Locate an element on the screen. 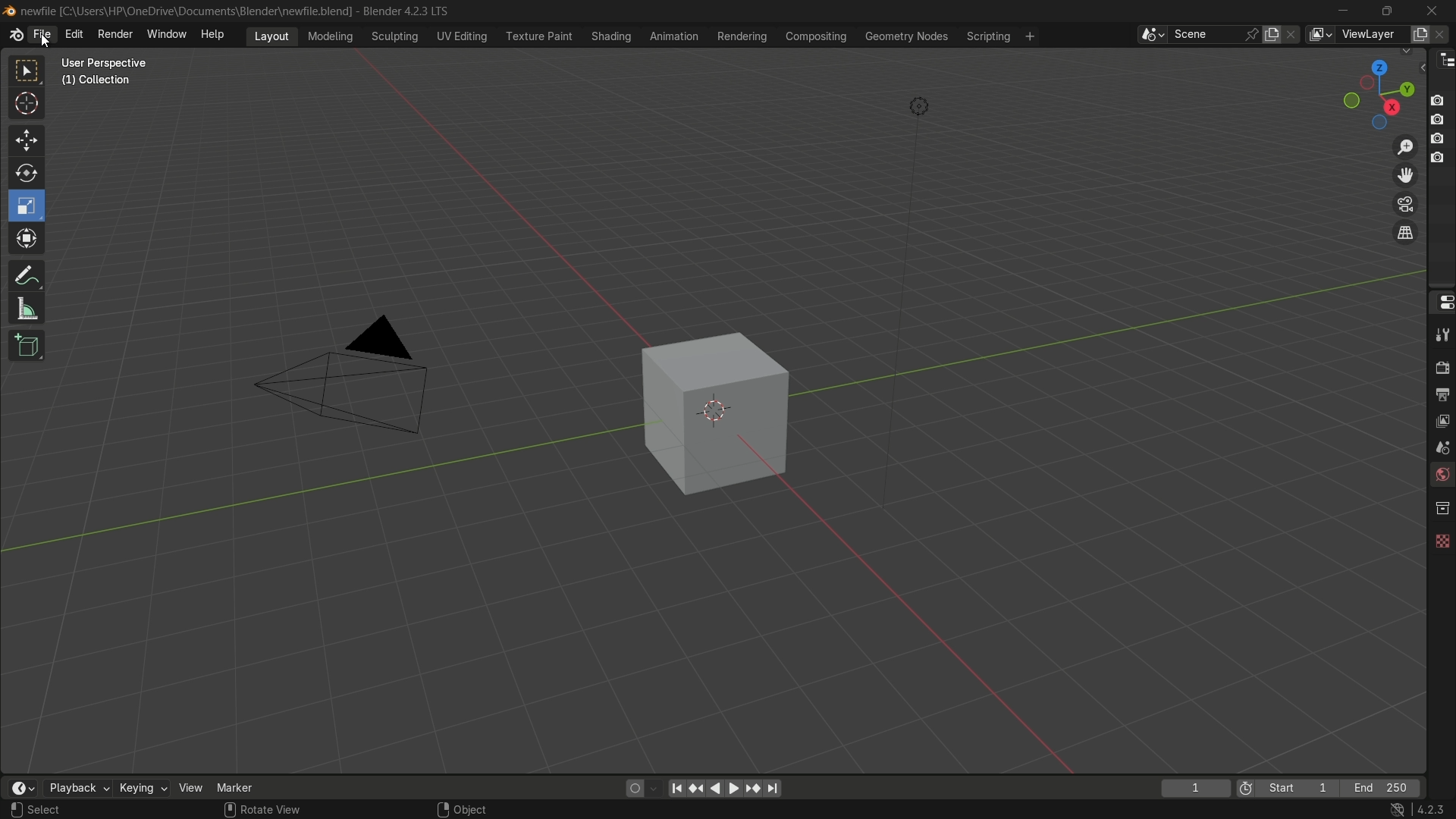  pin scene to workplace is located at coordinates (1254, 34).